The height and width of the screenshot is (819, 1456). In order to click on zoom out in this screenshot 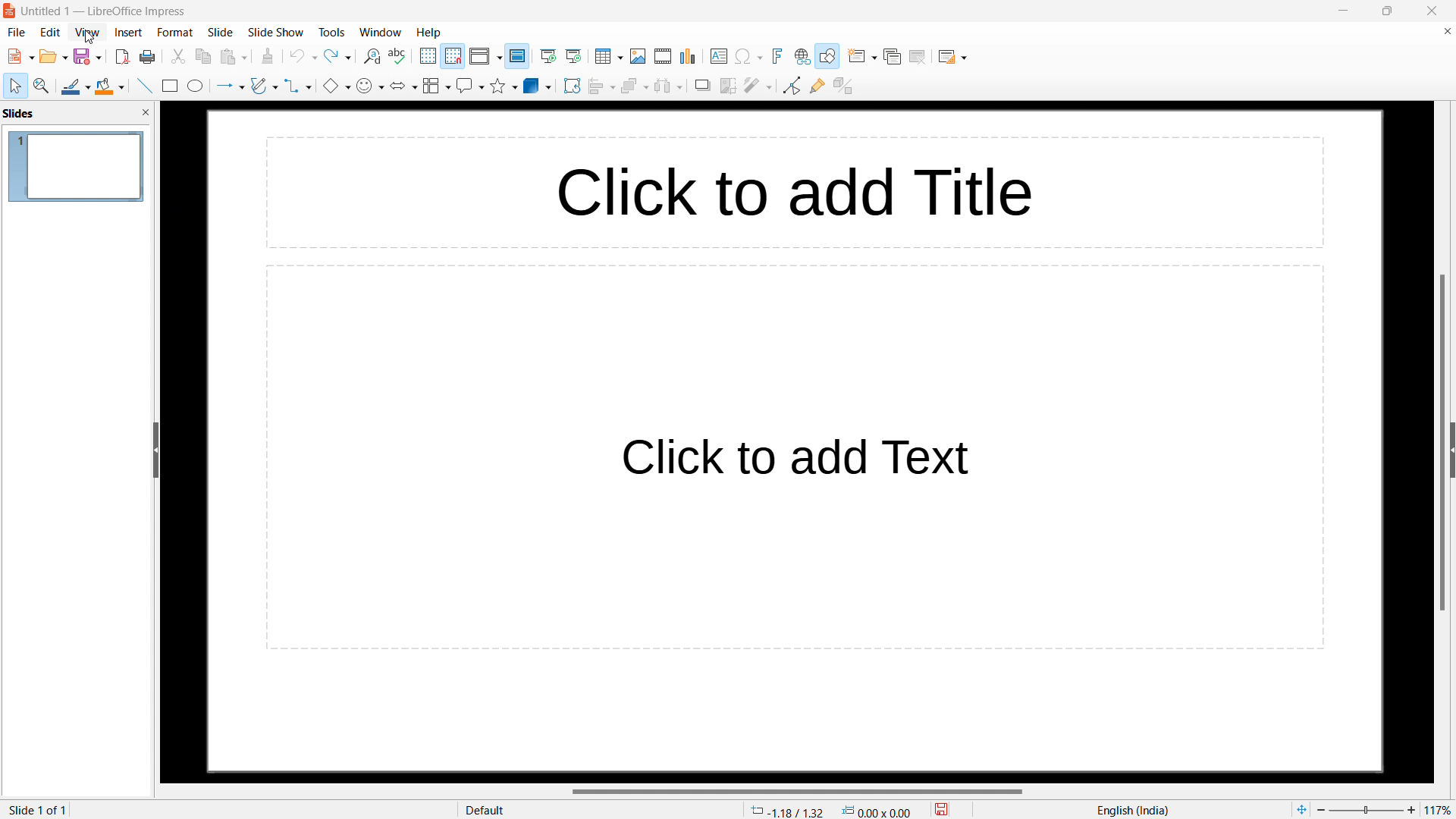, I will do `click(1322, 809)`.